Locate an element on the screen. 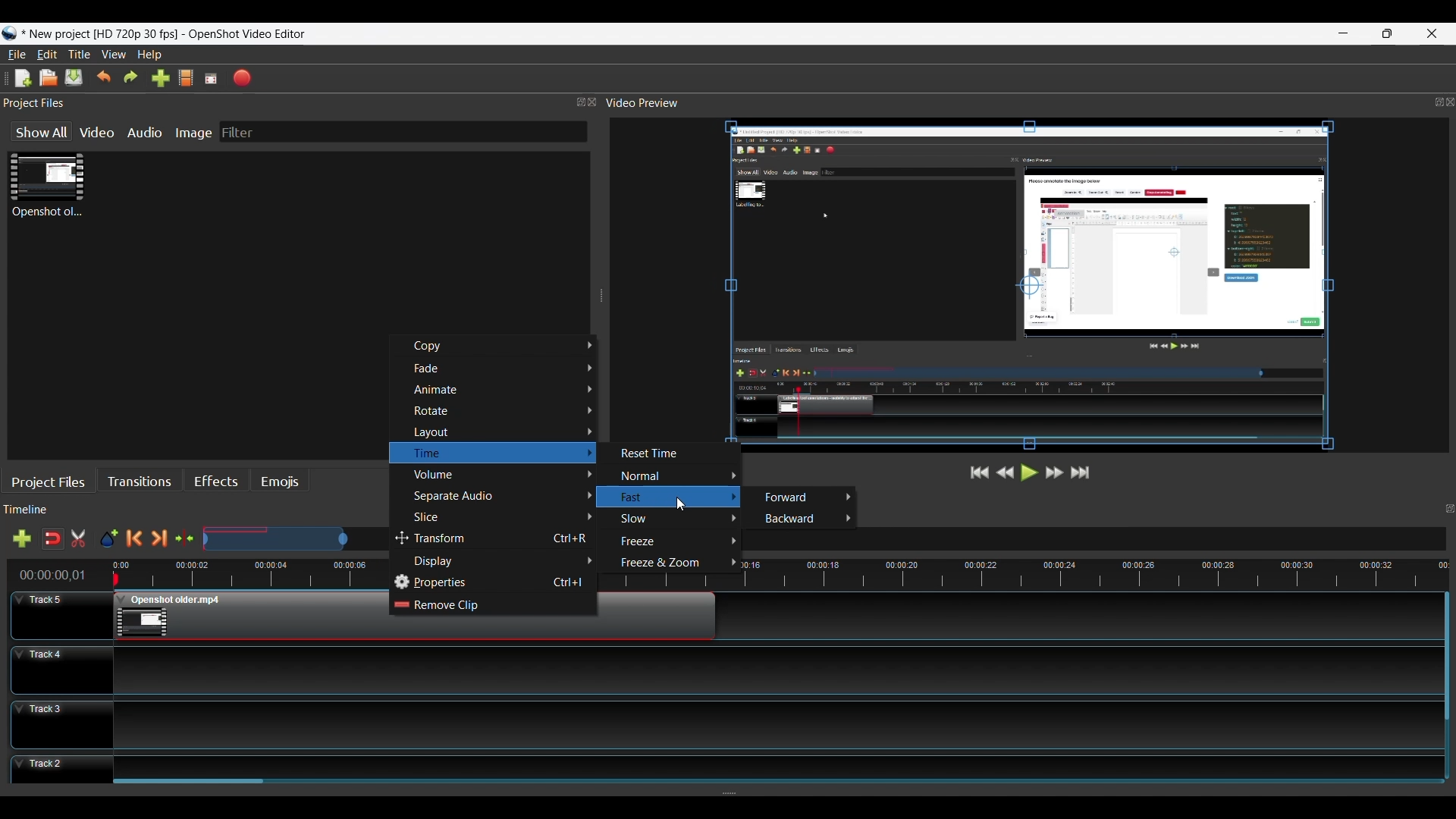 The image size is (1456, 819). Jump to the End is located at coordinates (1081, 473).